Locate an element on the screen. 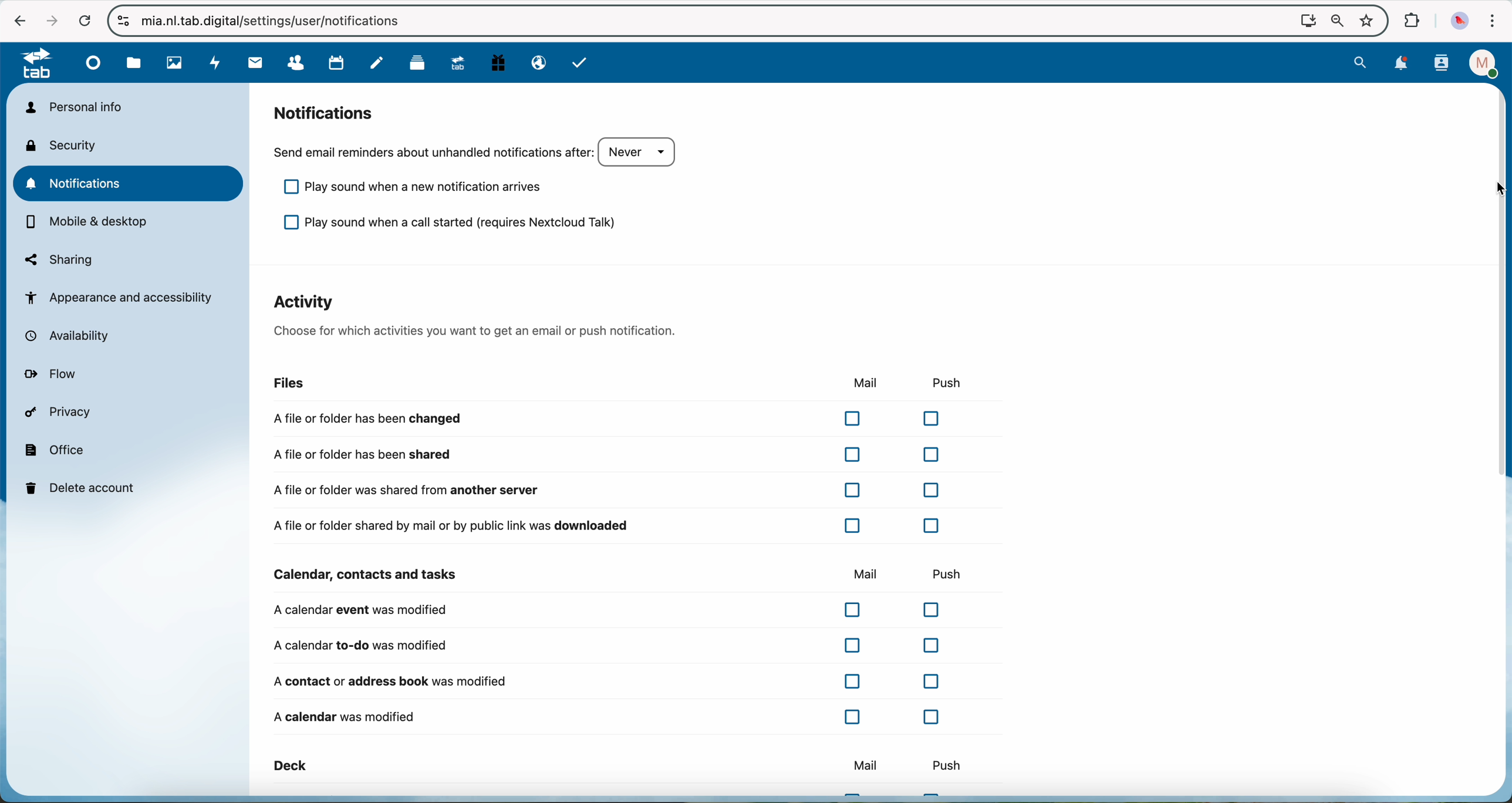  navigate foward is located at coordinates (48, 19).